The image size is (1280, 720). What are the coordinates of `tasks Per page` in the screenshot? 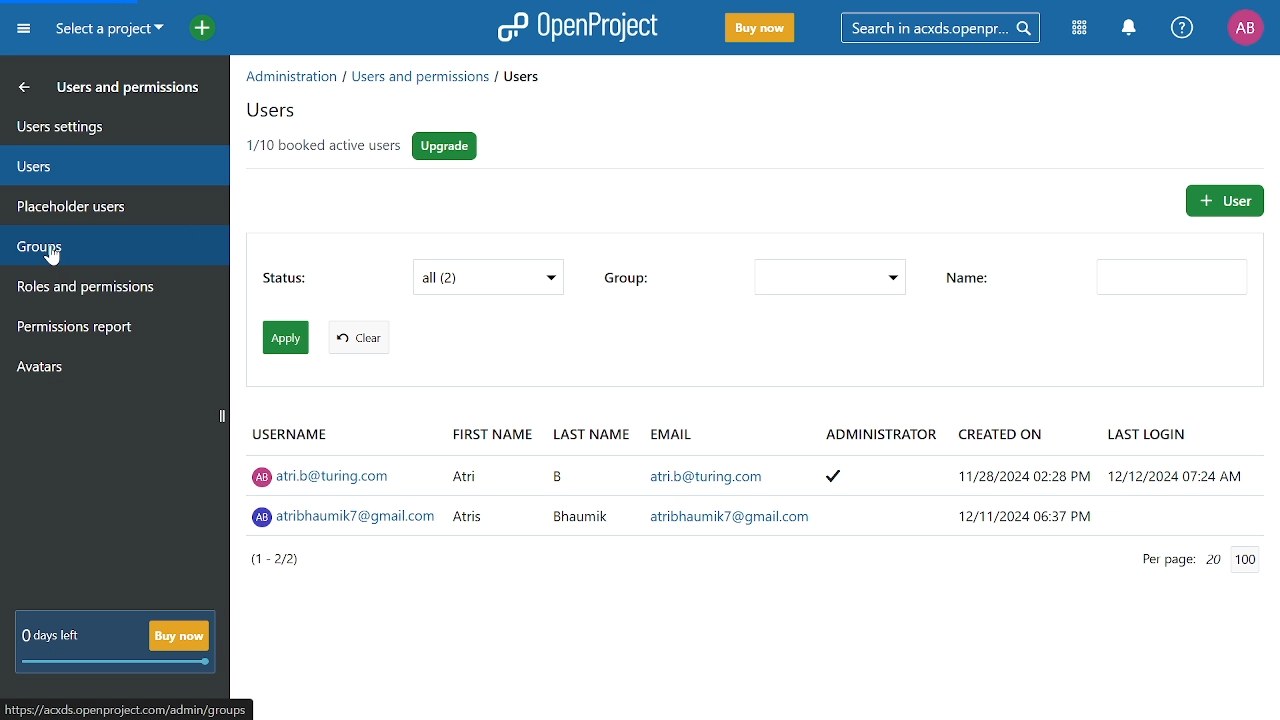 It's located at (1239, 560).